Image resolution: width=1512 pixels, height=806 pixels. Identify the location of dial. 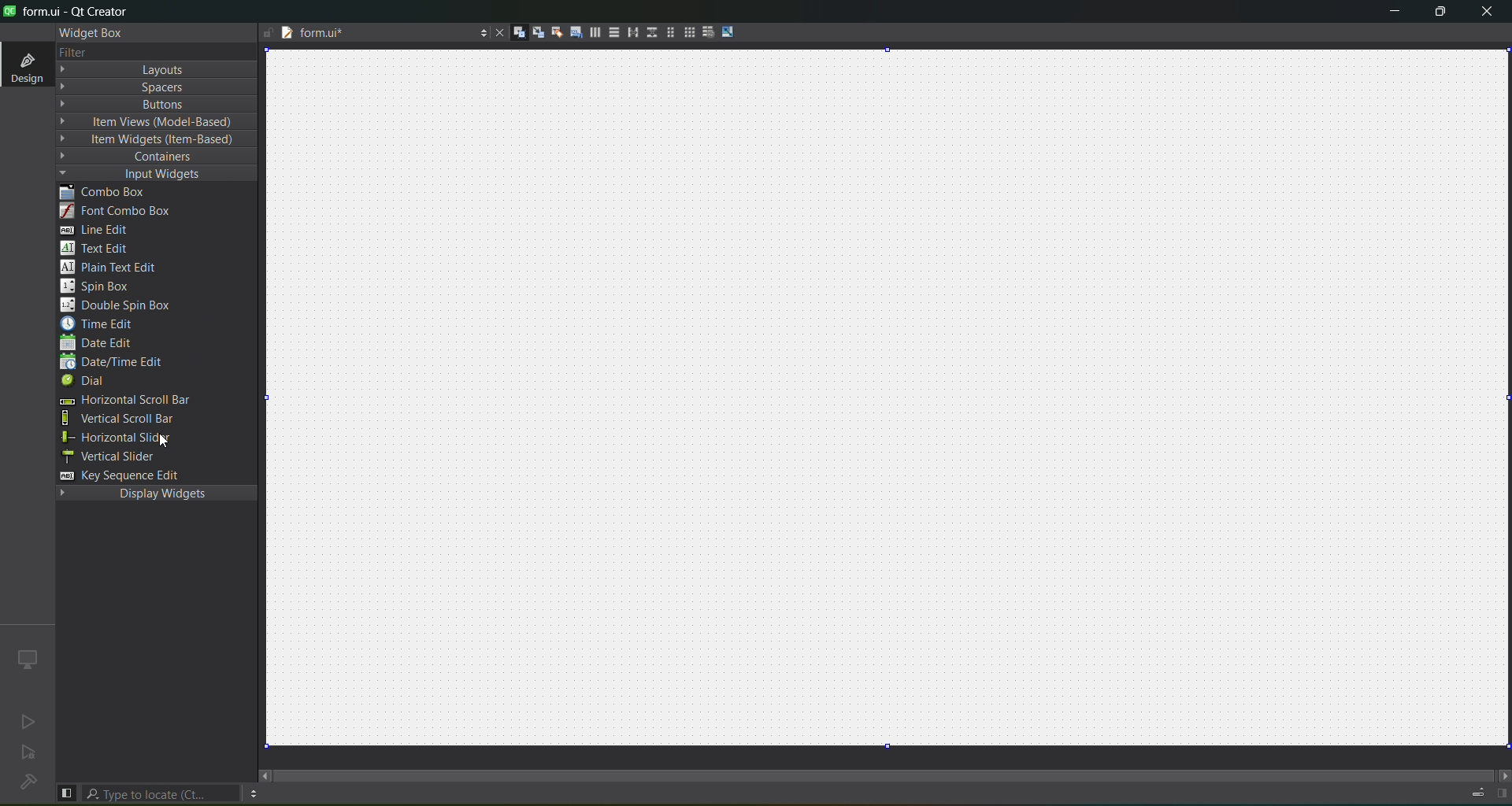
(87, 381).